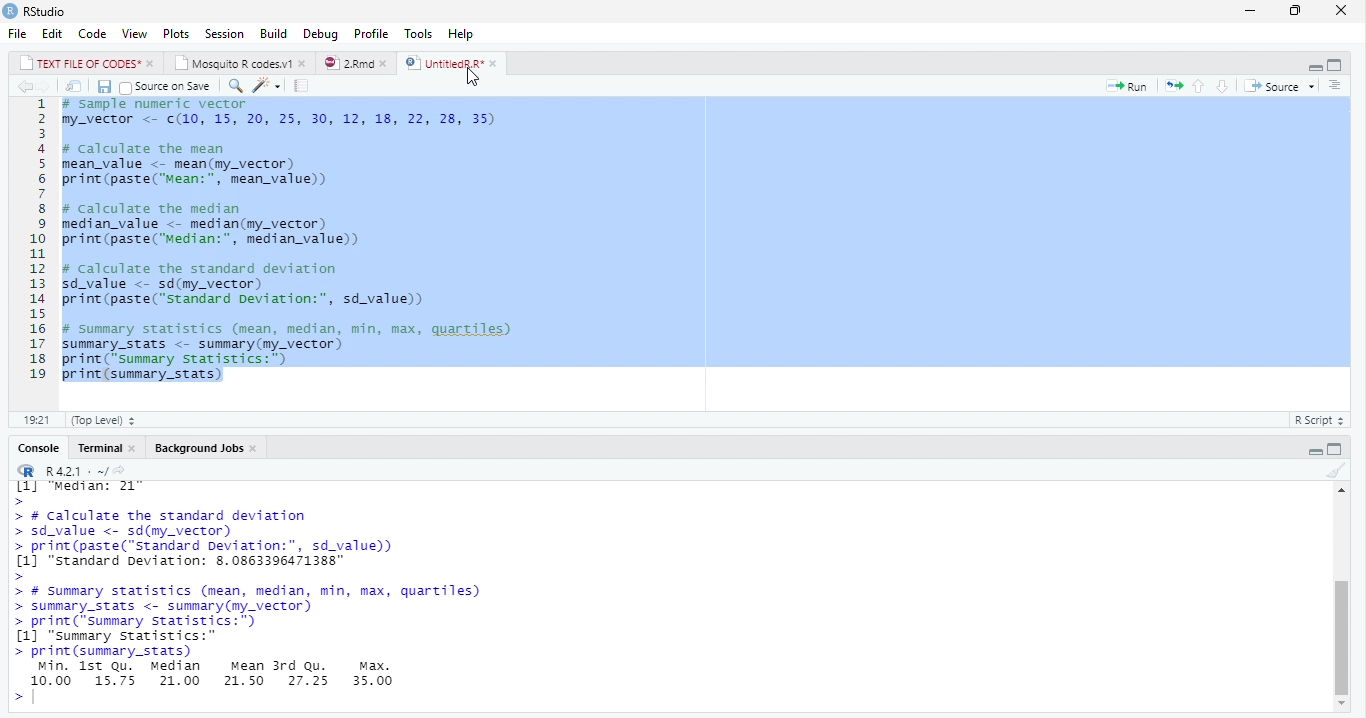  Describe the element at coordinates (106, 87) in the screenshot. I see `save` at that location.